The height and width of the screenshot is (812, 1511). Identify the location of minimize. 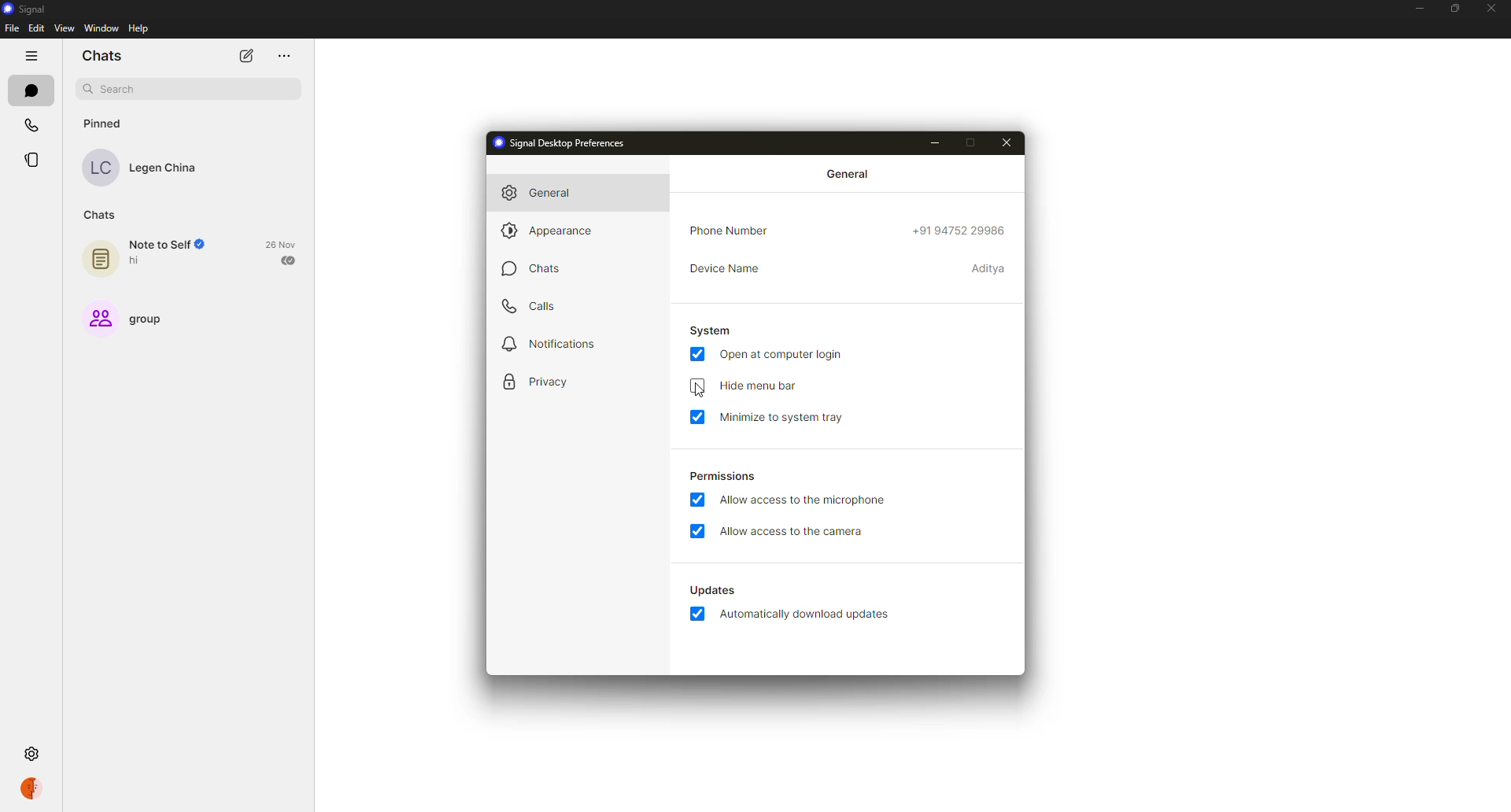
(935, 142).